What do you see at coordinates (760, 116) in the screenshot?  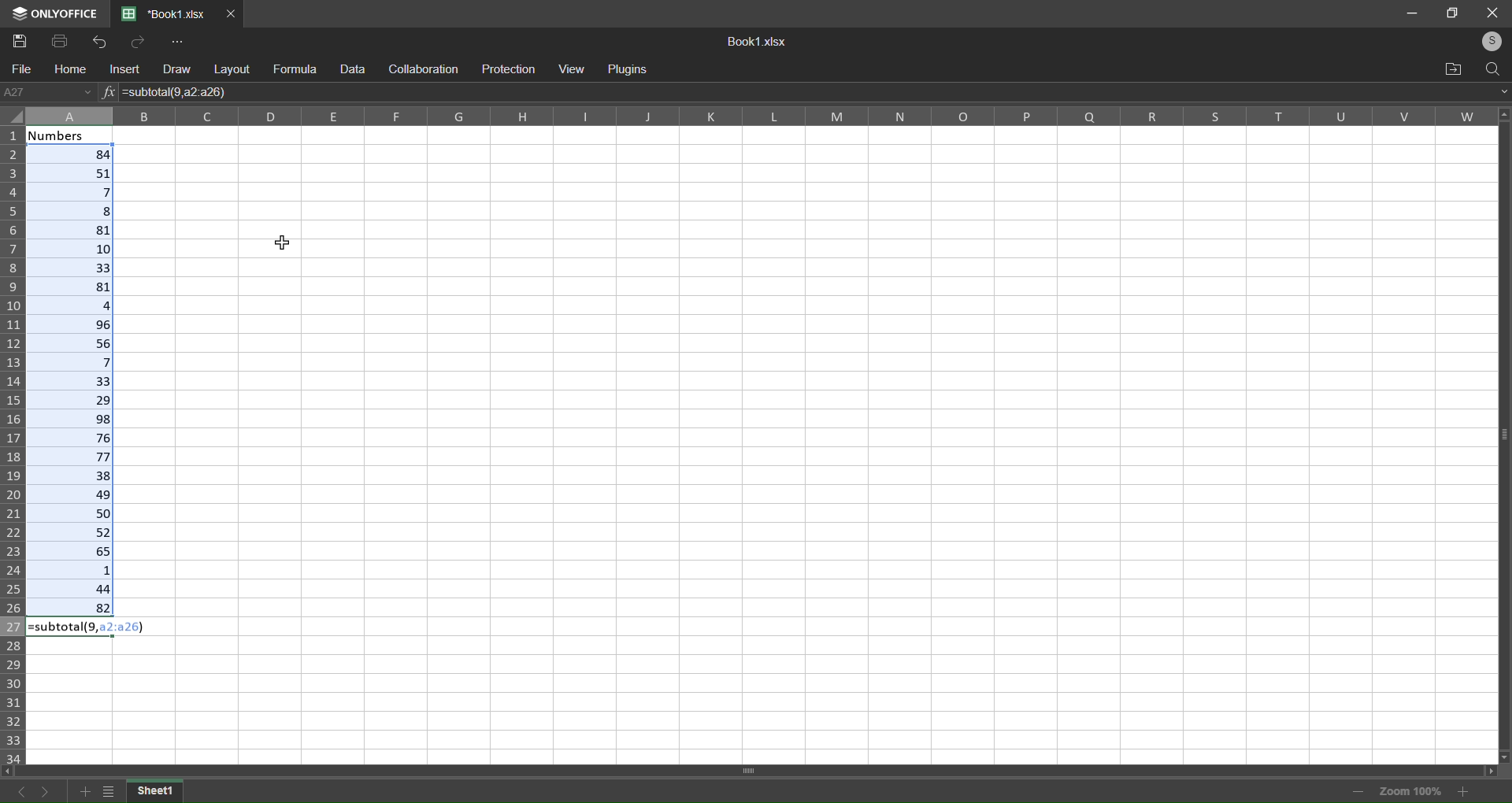 I see `Column label` at bounding box center [760, 116].